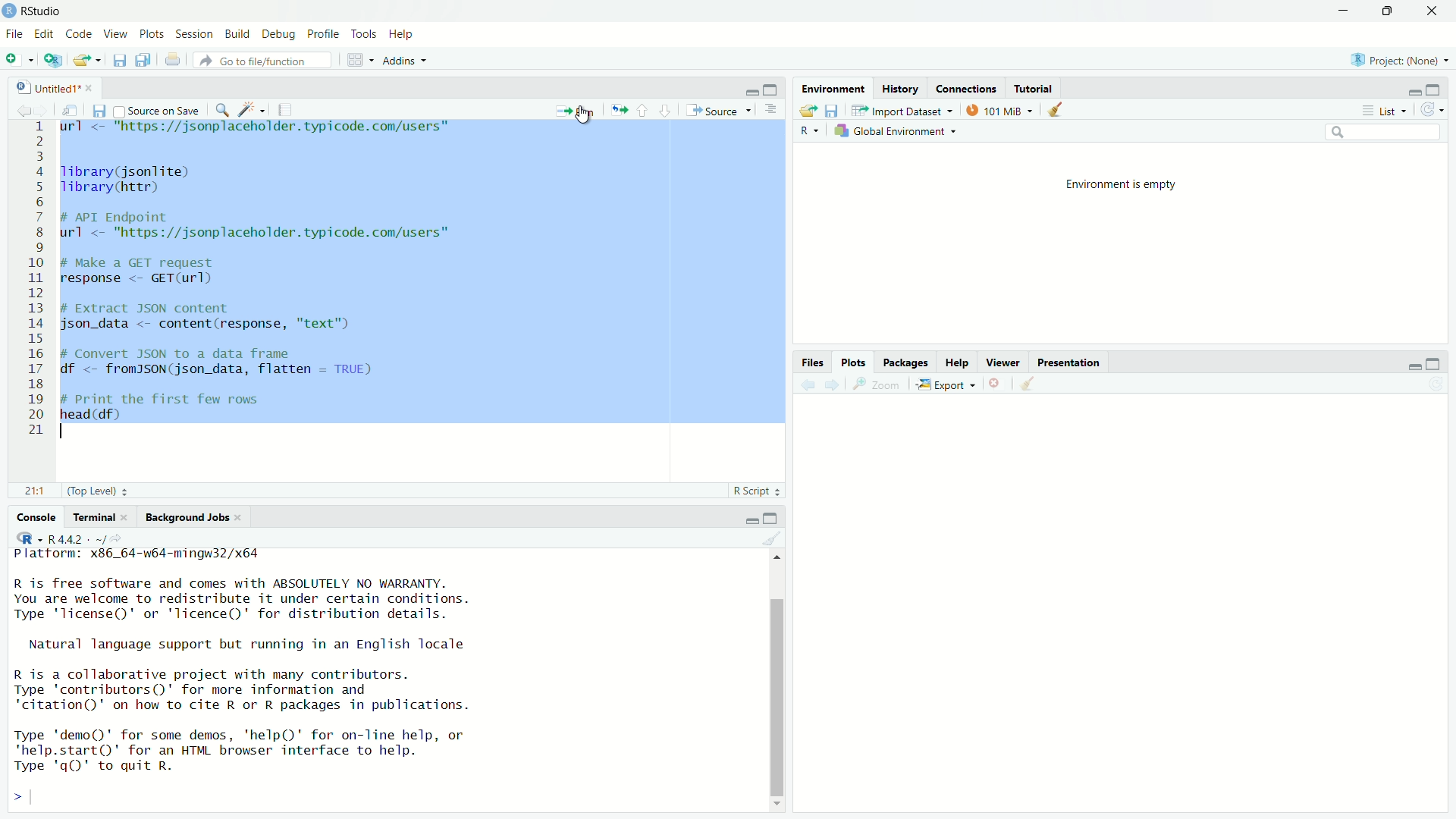  Describe the element at coordinates (30, 538) in the screenshot. I see `R Icon` at that location.